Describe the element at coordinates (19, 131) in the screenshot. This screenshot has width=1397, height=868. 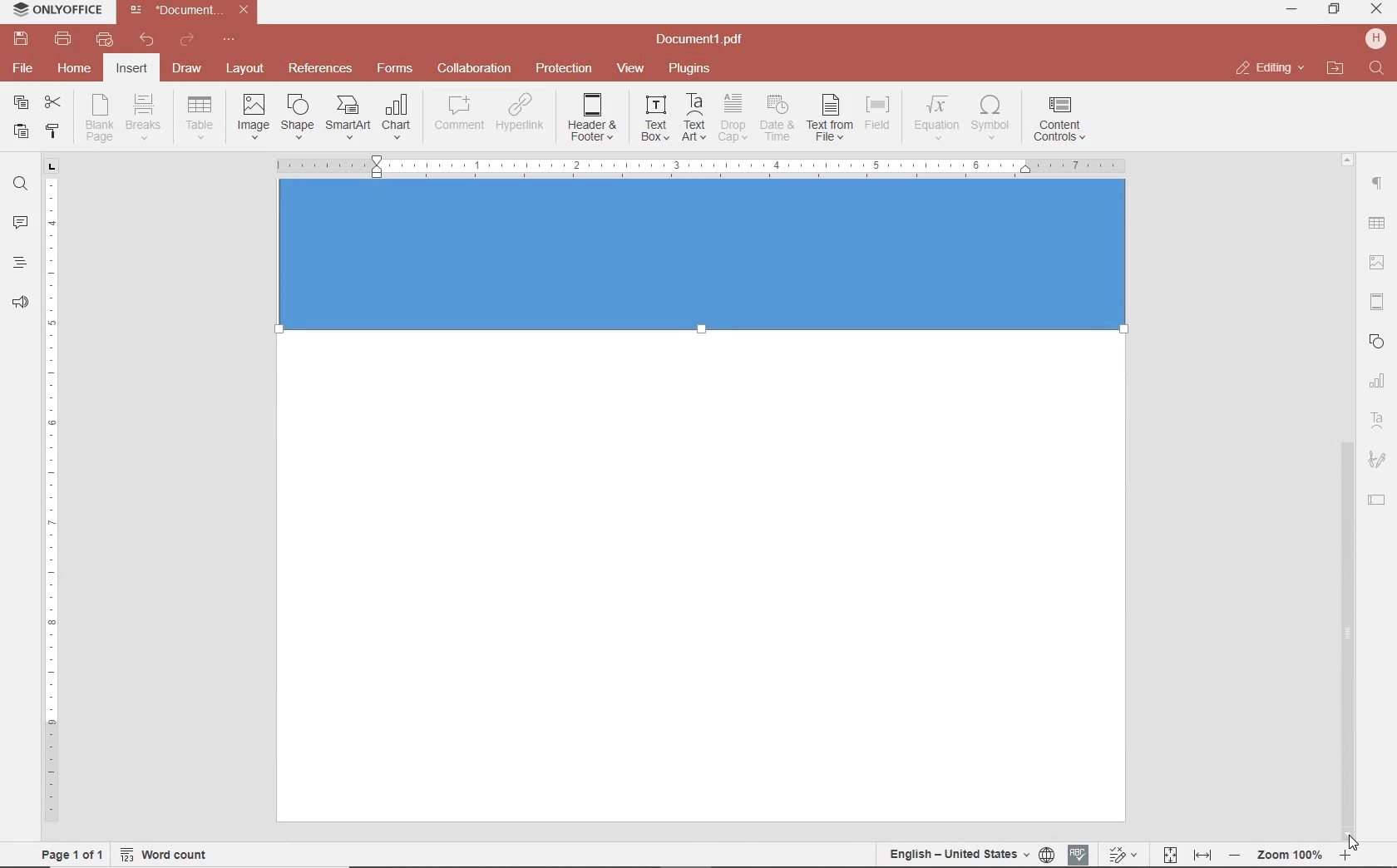
I see `paste` at that location.